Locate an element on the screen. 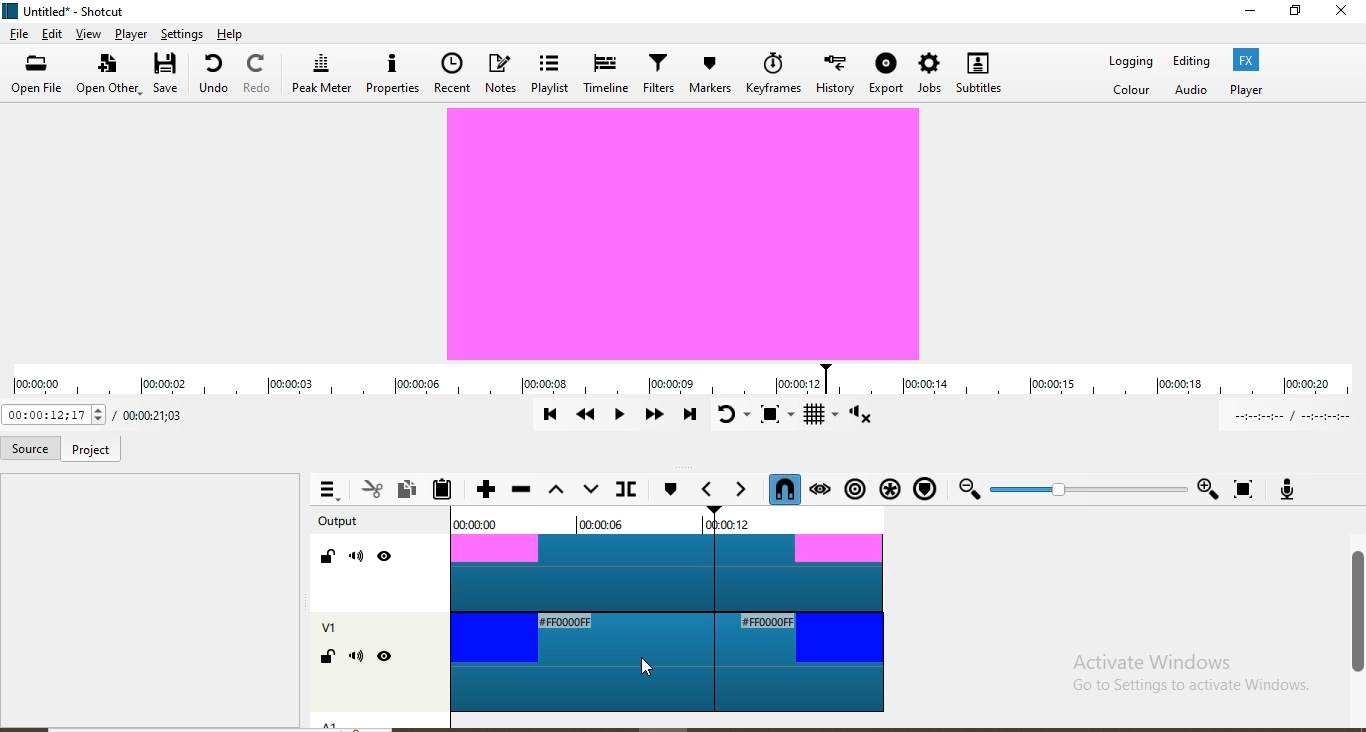  Copy is located at coordinates (407, 490).